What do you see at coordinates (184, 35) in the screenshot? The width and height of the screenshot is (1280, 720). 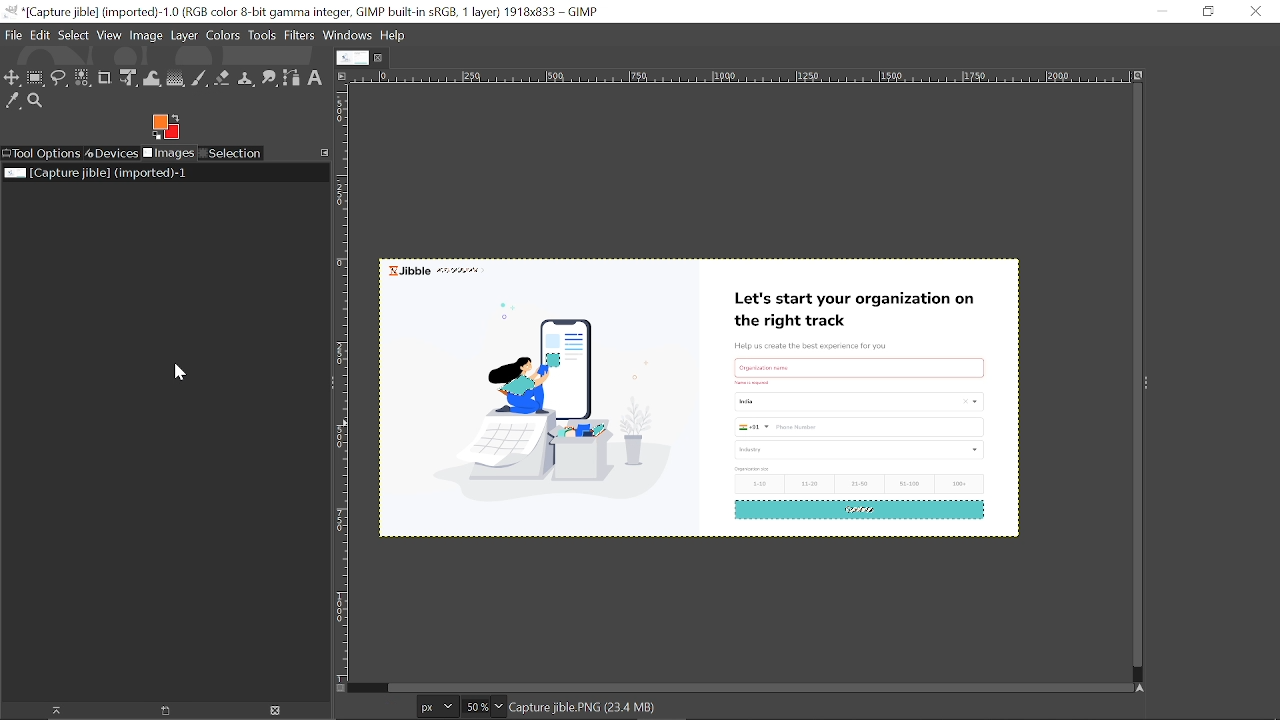 I see `Layer` at bounding box center [184, 35].